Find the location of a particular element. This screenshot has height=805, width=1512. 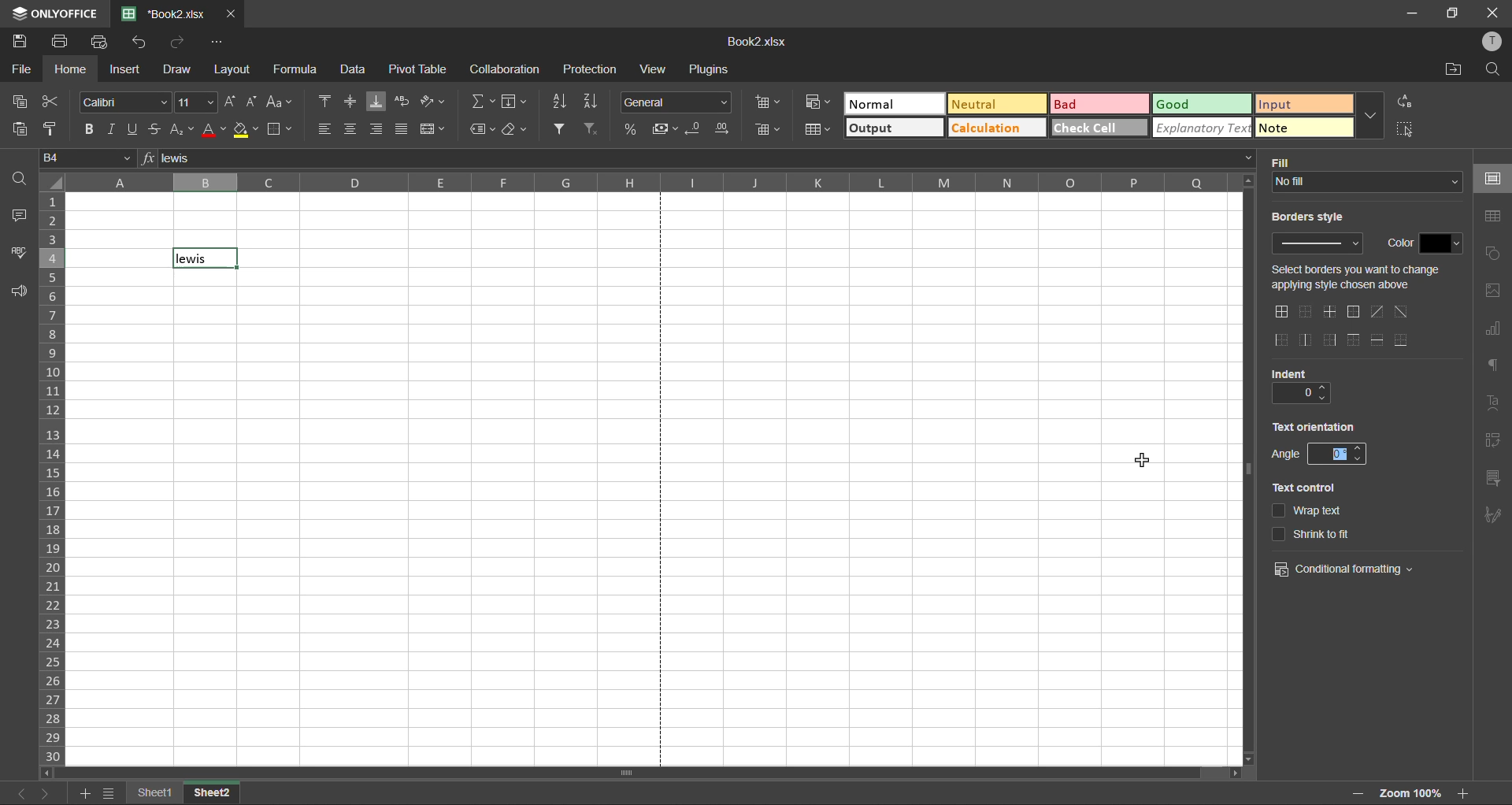

outside borders only is located at coordinates (1351, 312).